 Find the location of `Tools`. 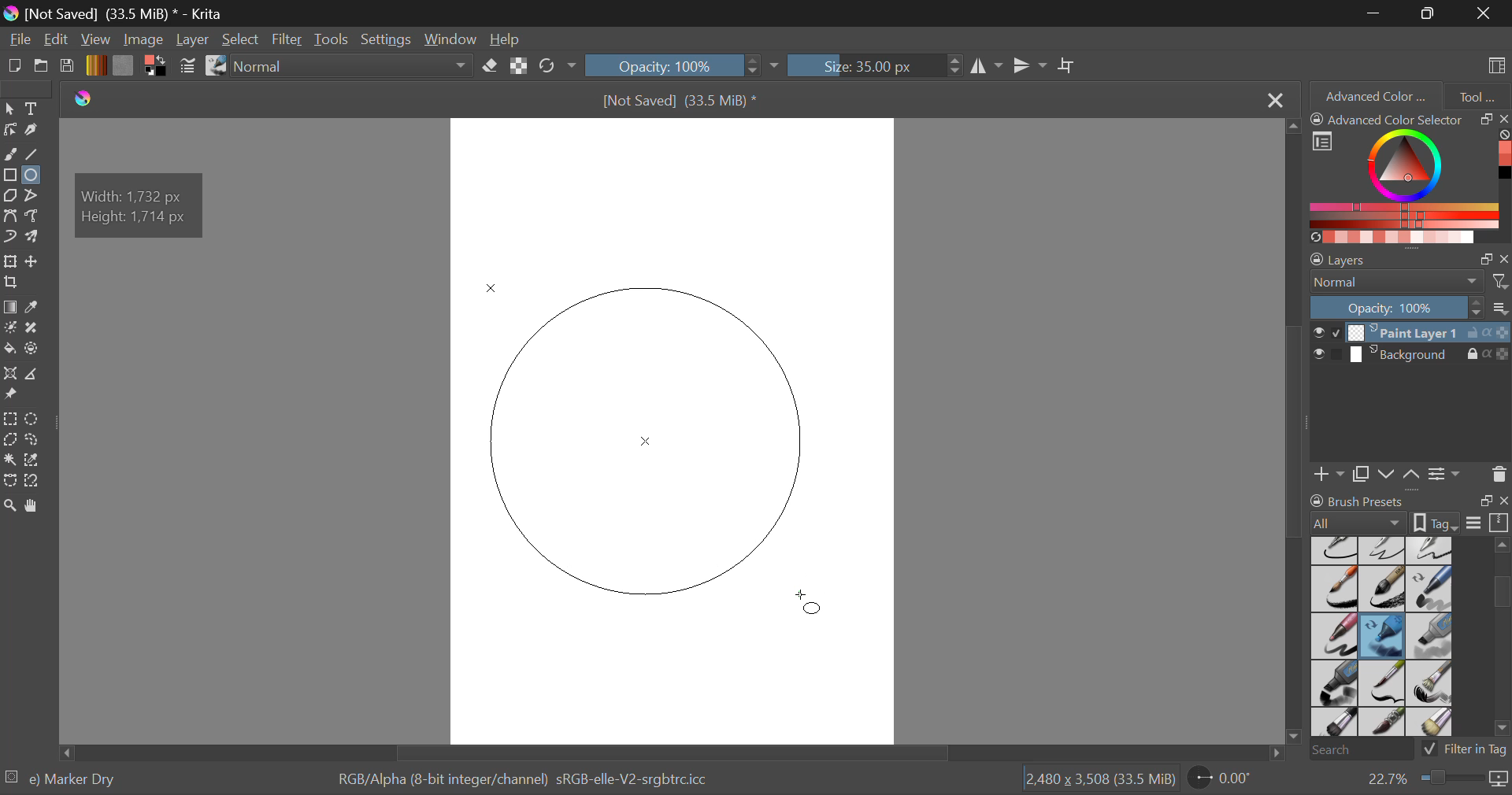

Tools is located at coordinates (332, 40).